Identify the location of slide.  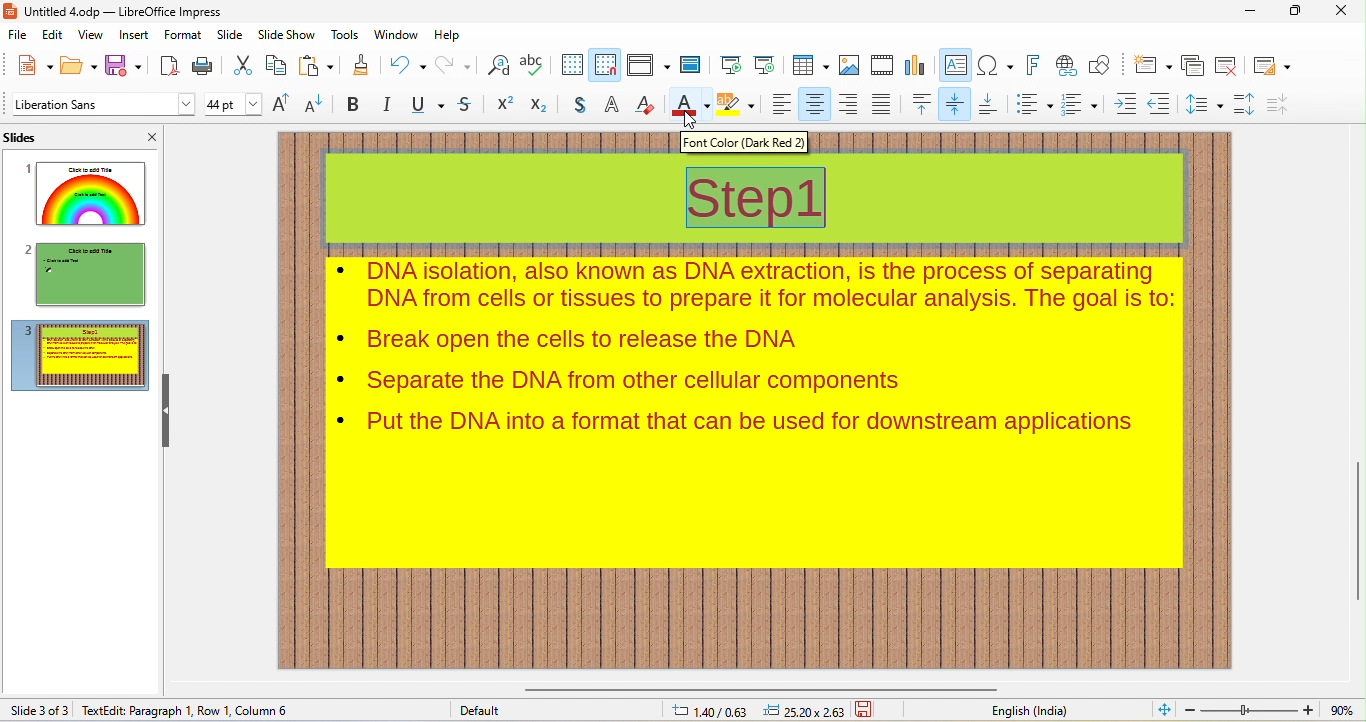
(230, 36).